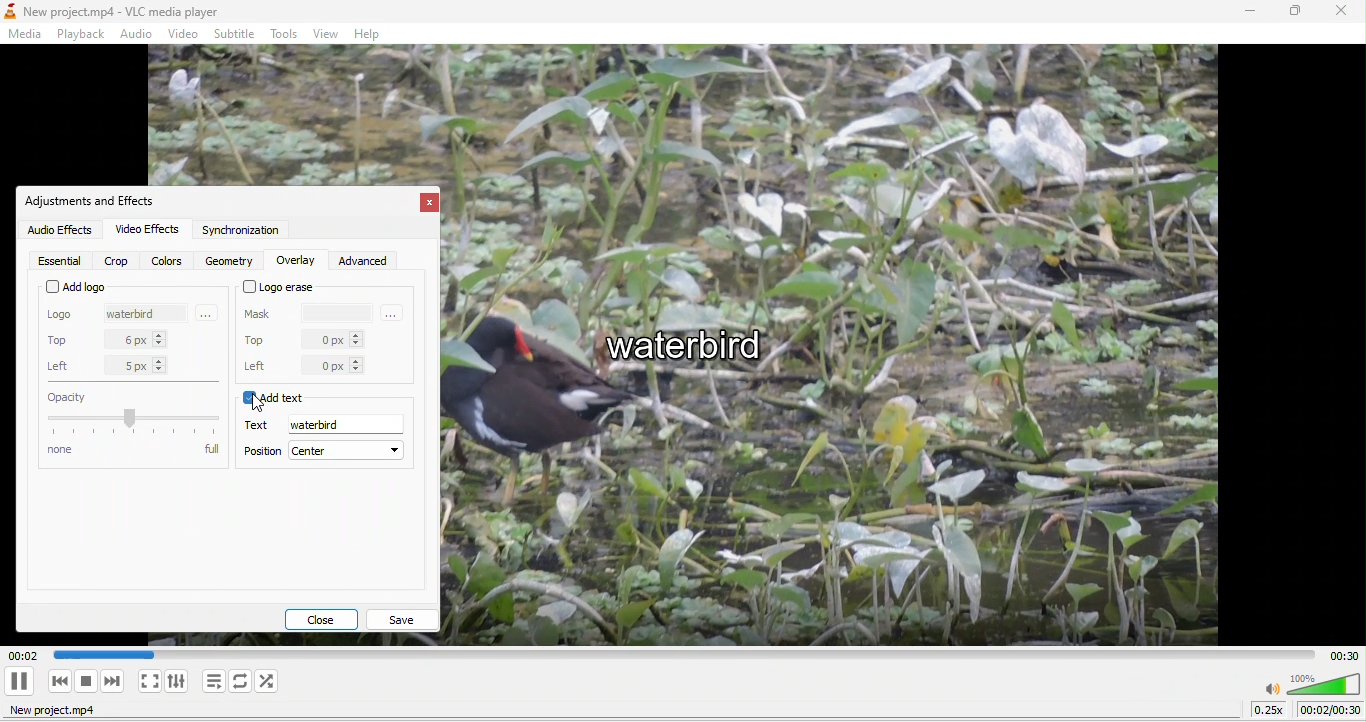  Describe the element at coordinates (373, 33) in the screenshot. I see `help` at that location.